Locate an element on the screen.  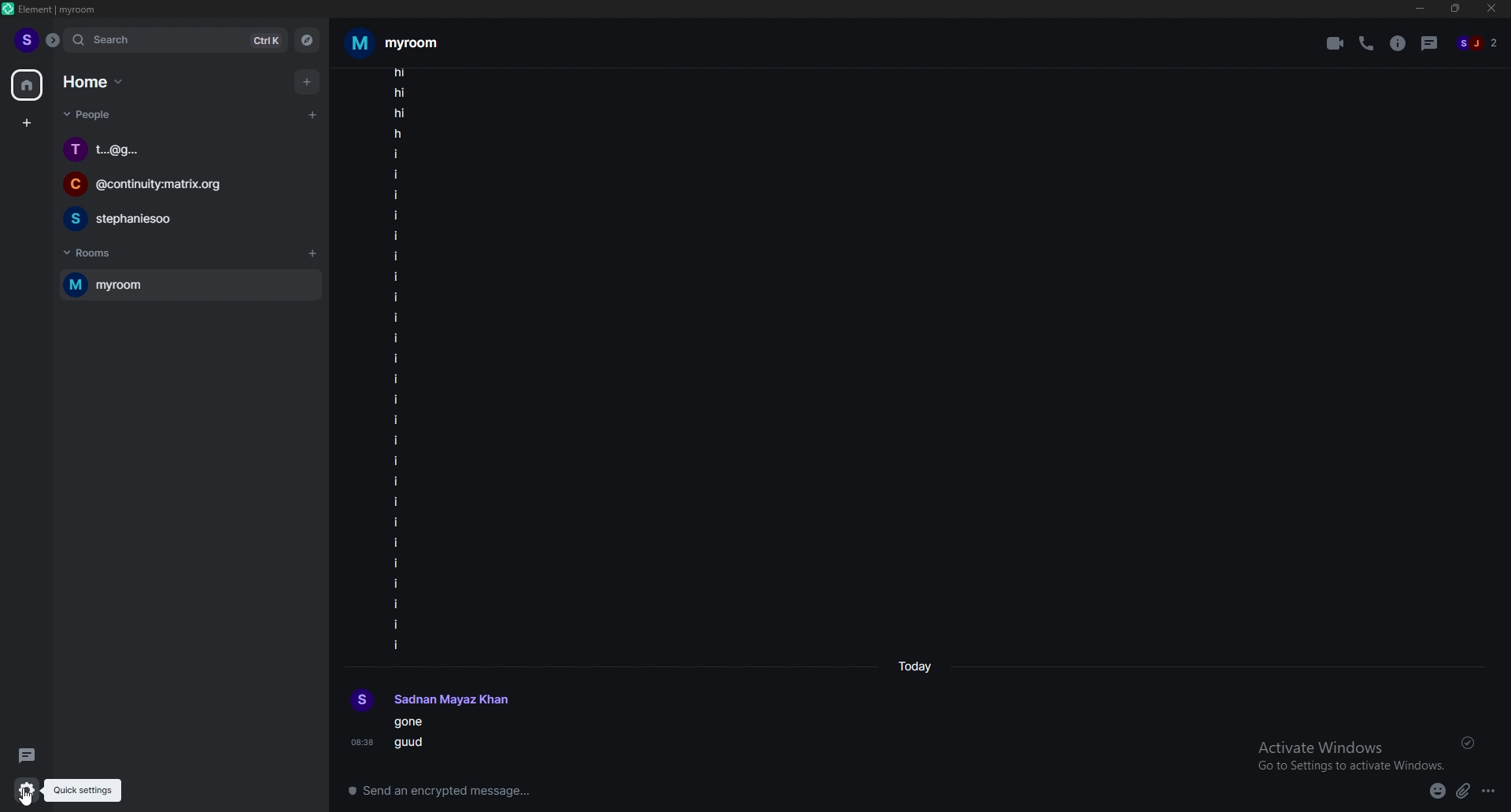
threads is located at coordinates (1430, 43).